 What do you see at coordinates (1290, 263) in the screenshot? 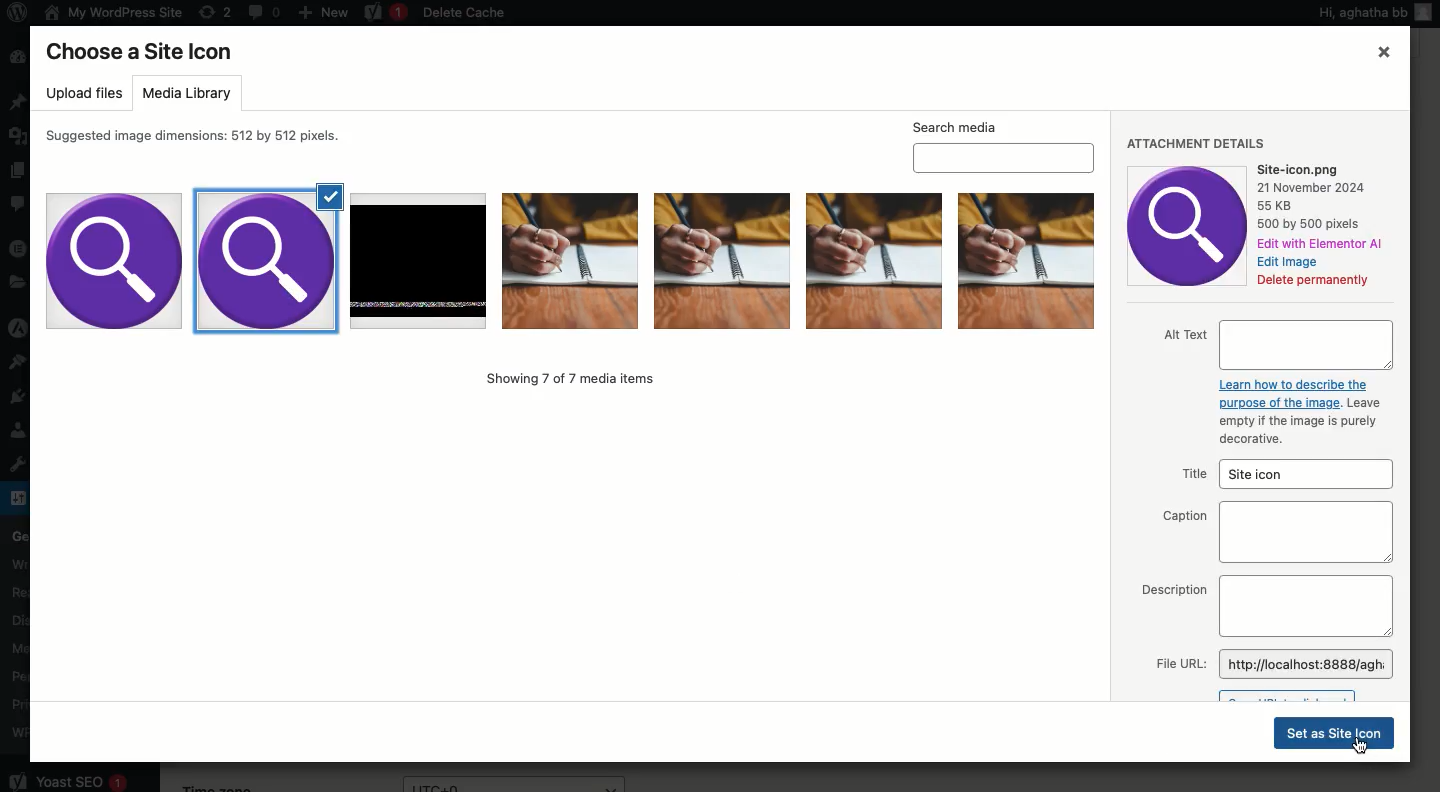
I see `Edit image` at bounding box center [1290, 263].